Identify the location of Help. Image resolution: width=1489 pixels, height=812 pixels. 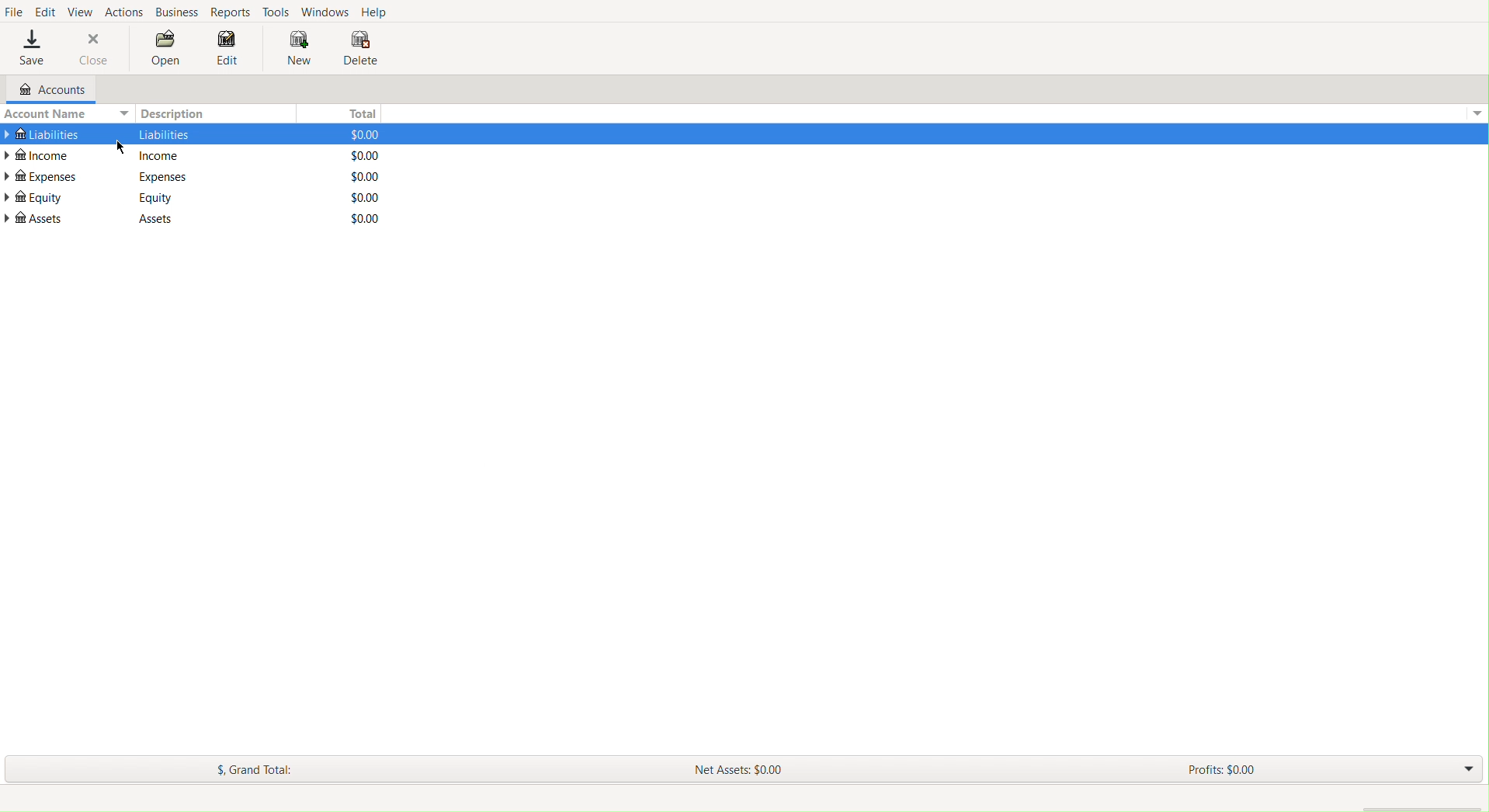
(377, 12).